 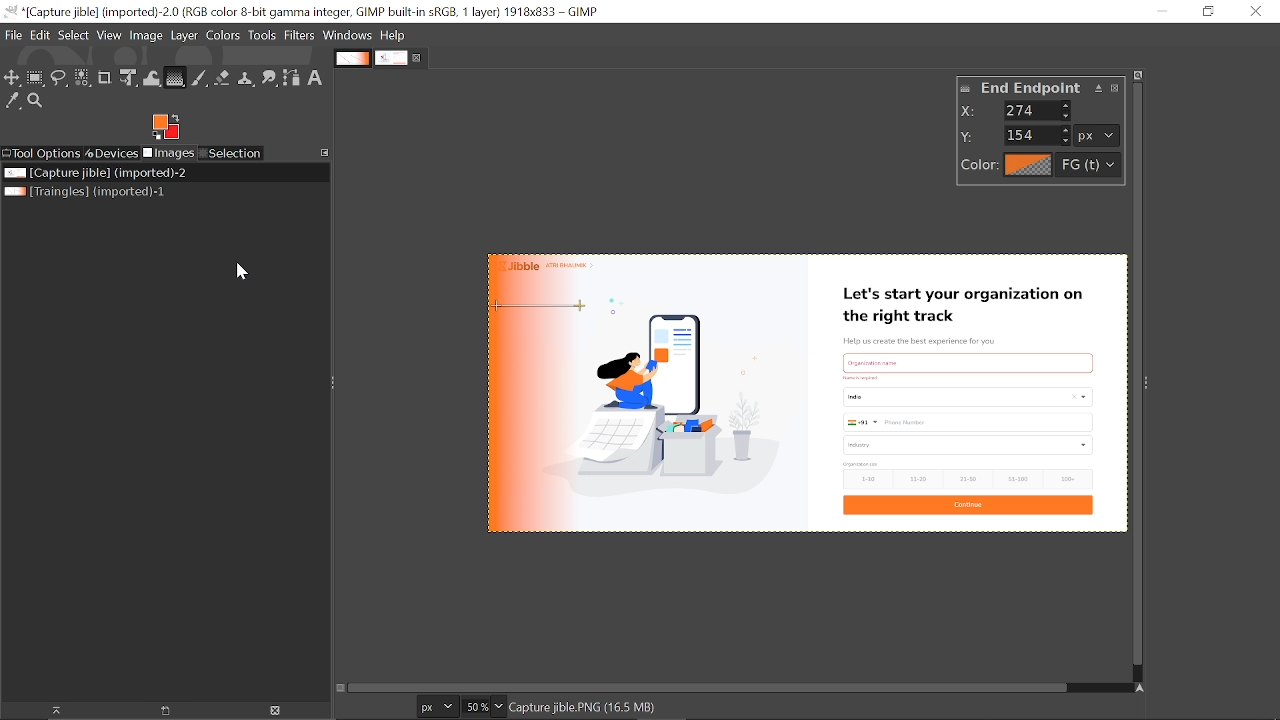 I want to click on Minimize, so click(x=1164, y=12).